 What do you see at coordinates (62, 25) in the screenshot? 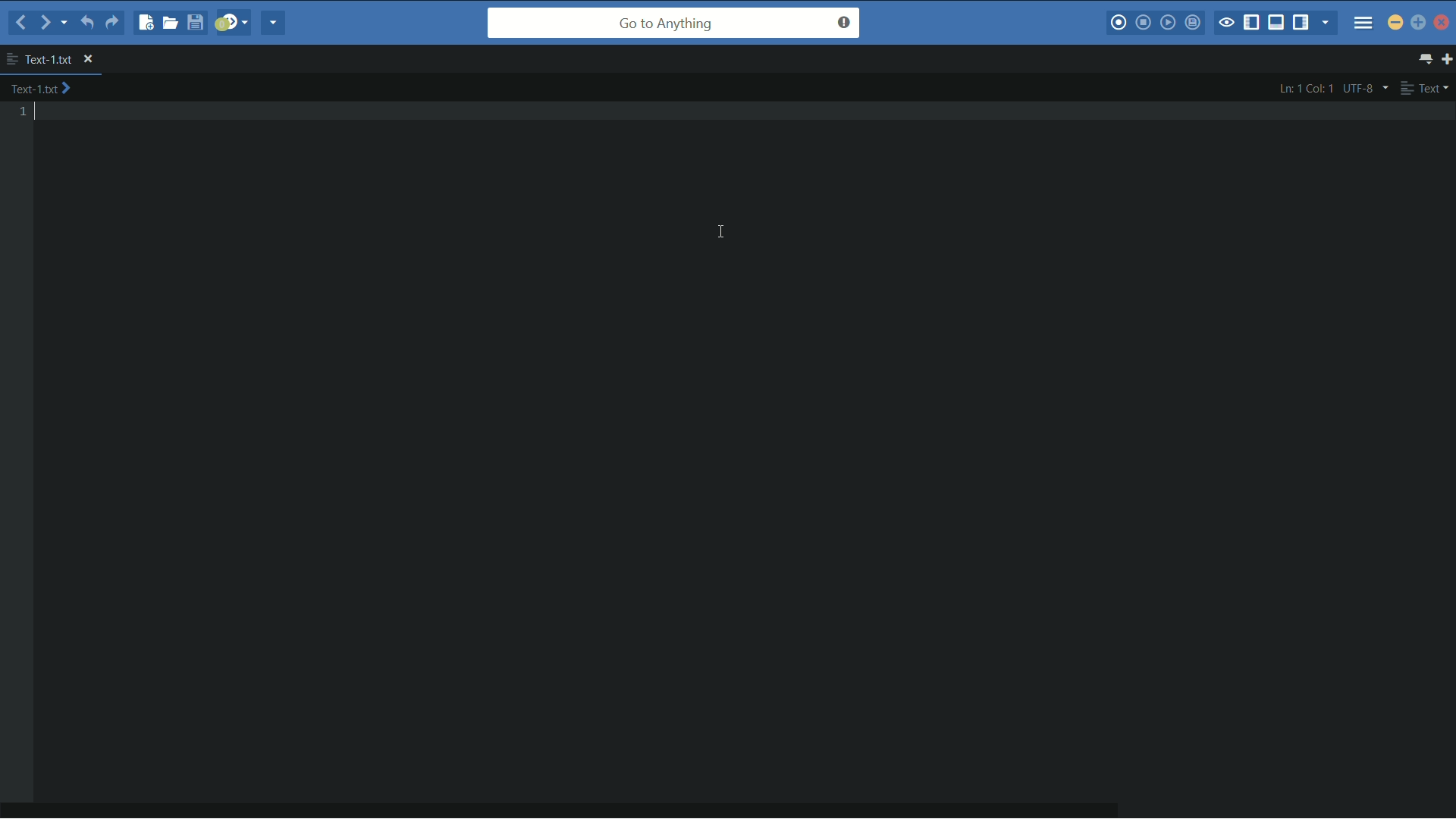
I see `recent location` at bounding box center [62, 25].